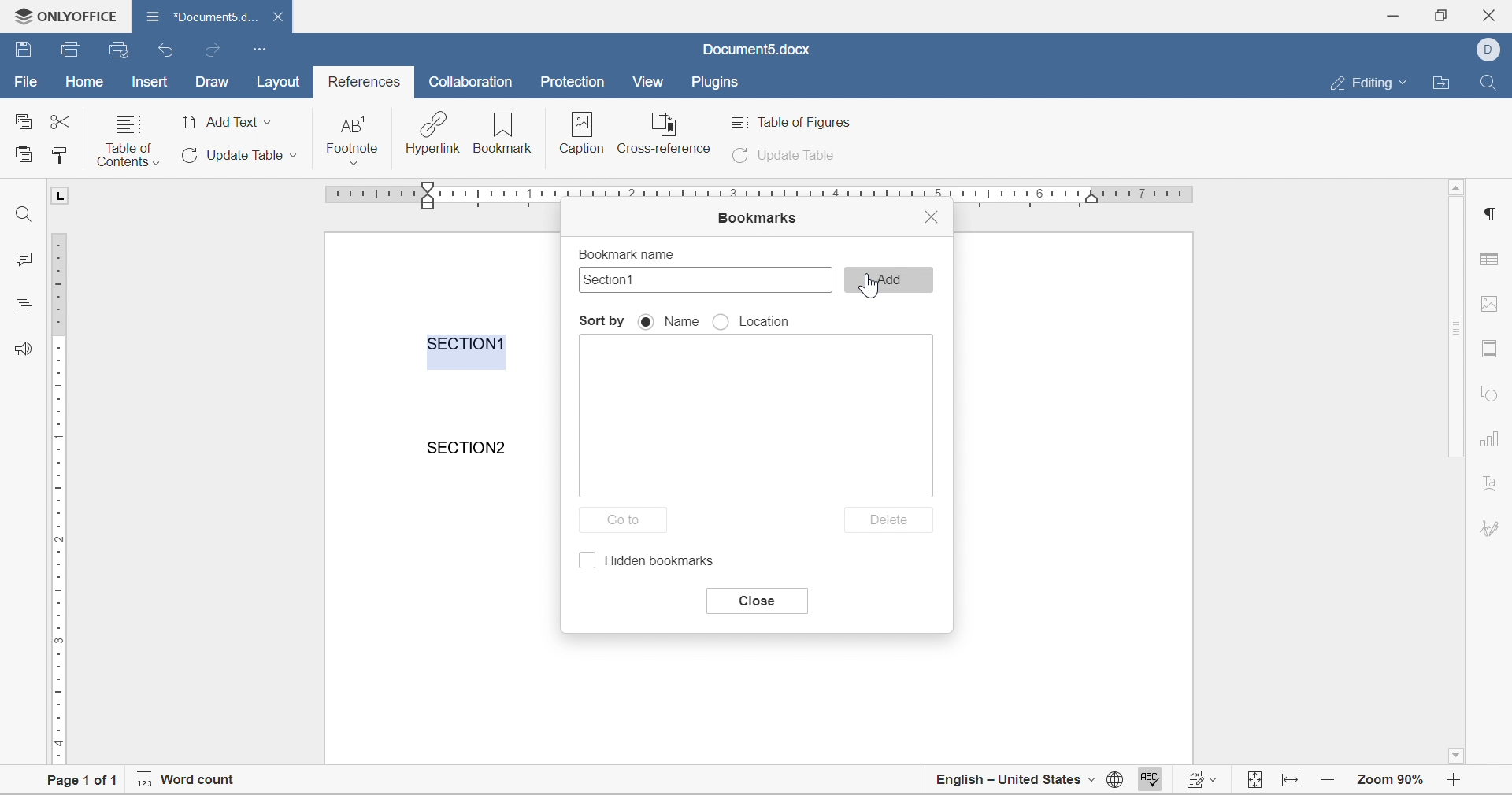 This screenshot has height=795, width=1512. I want to click on file, so click(24, 82).